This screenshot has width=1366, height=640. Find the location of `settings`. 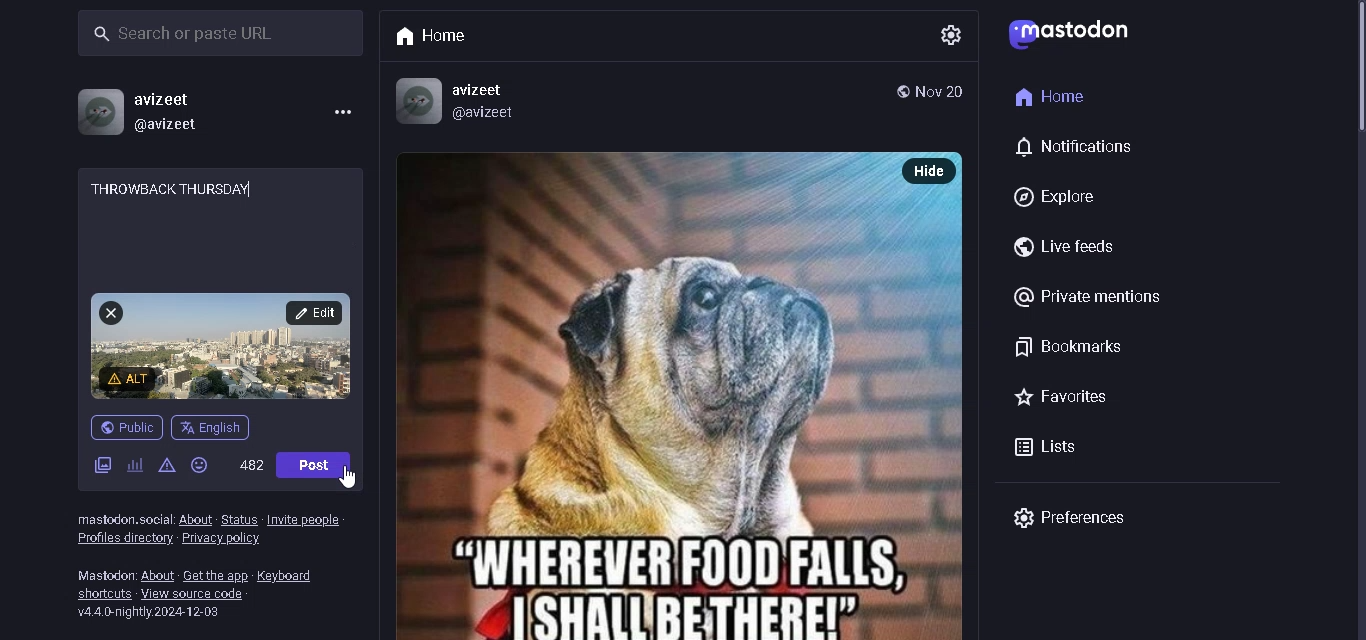

settings is located at coordinates (953, 36).